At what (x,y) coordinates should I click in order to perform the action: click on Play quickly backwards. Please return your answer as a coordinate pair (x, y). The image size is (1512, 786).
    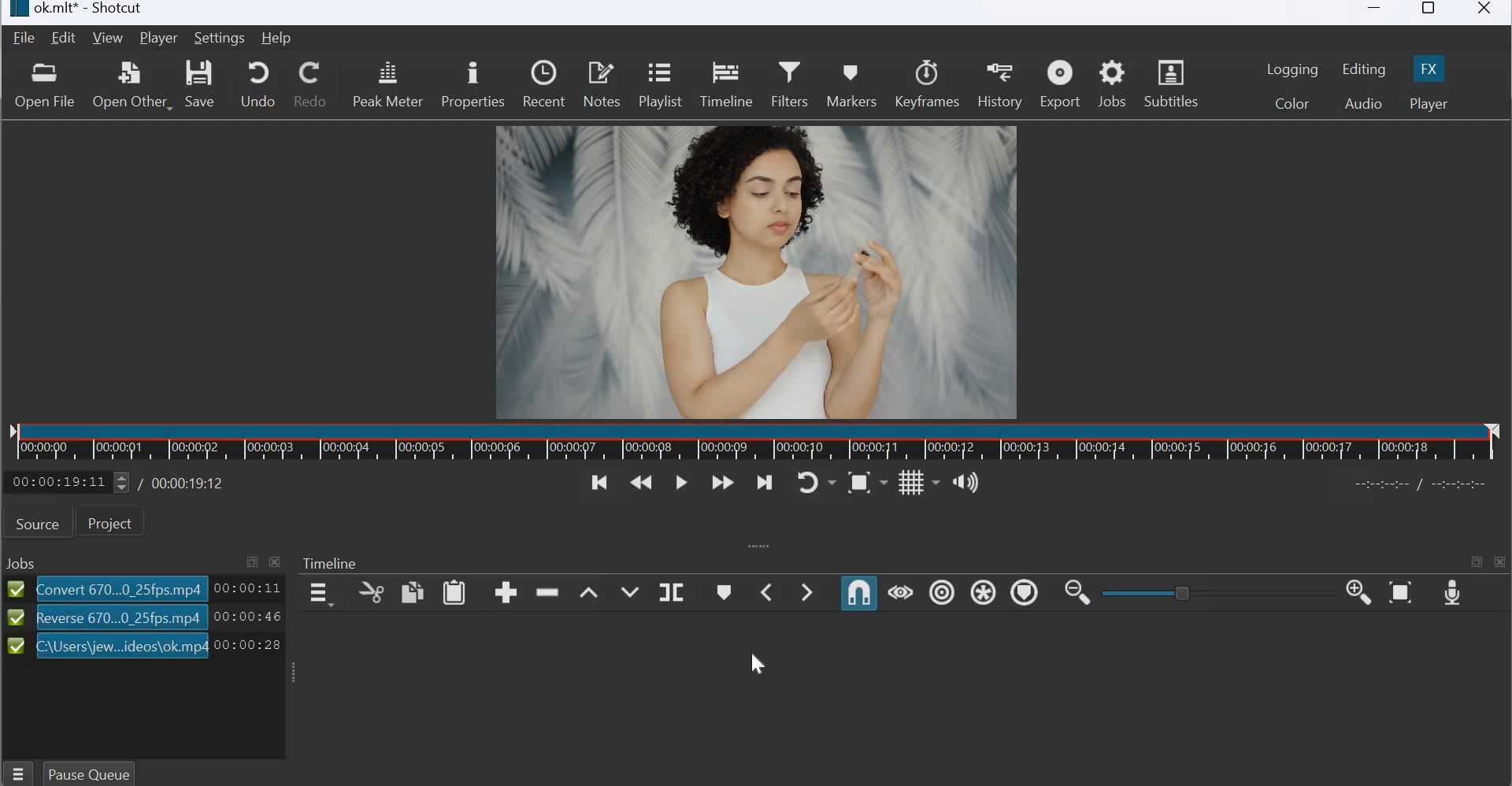
    Looking at the image, I should click on (641, 484).